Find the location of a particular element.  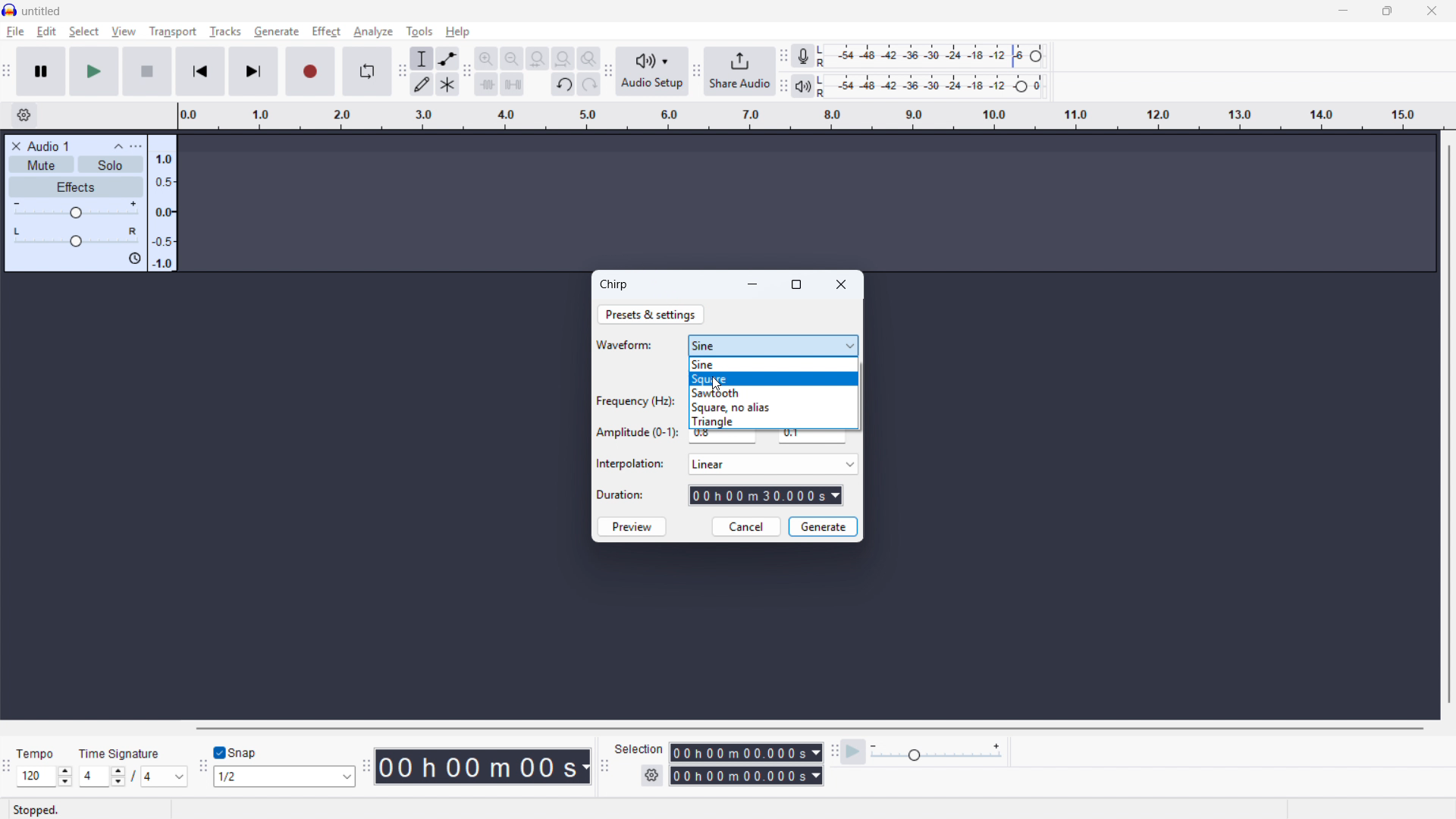

Set time signature  is located at coordinates (136, 777).